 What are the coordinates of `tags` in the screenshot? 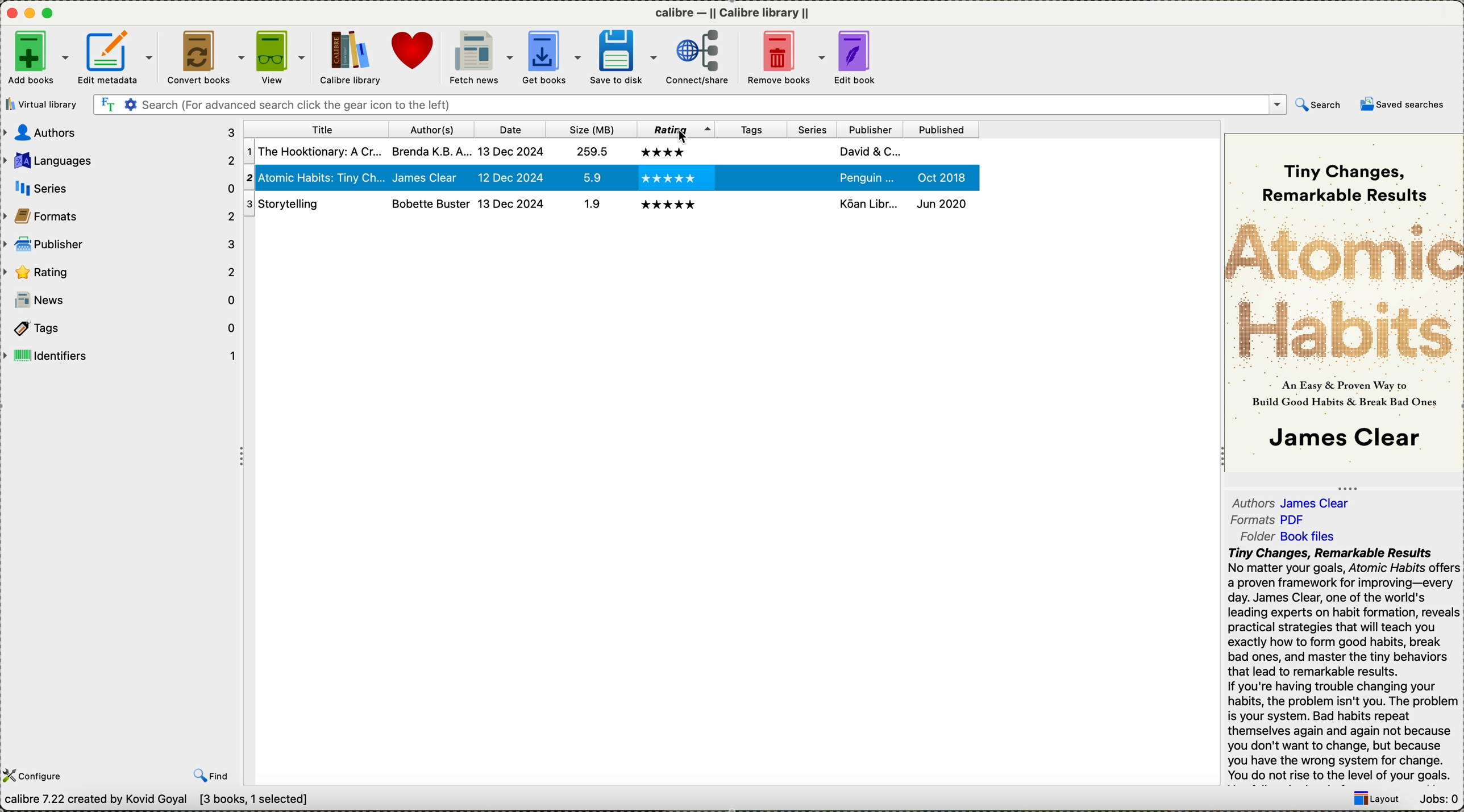 It's located at (748, 207).